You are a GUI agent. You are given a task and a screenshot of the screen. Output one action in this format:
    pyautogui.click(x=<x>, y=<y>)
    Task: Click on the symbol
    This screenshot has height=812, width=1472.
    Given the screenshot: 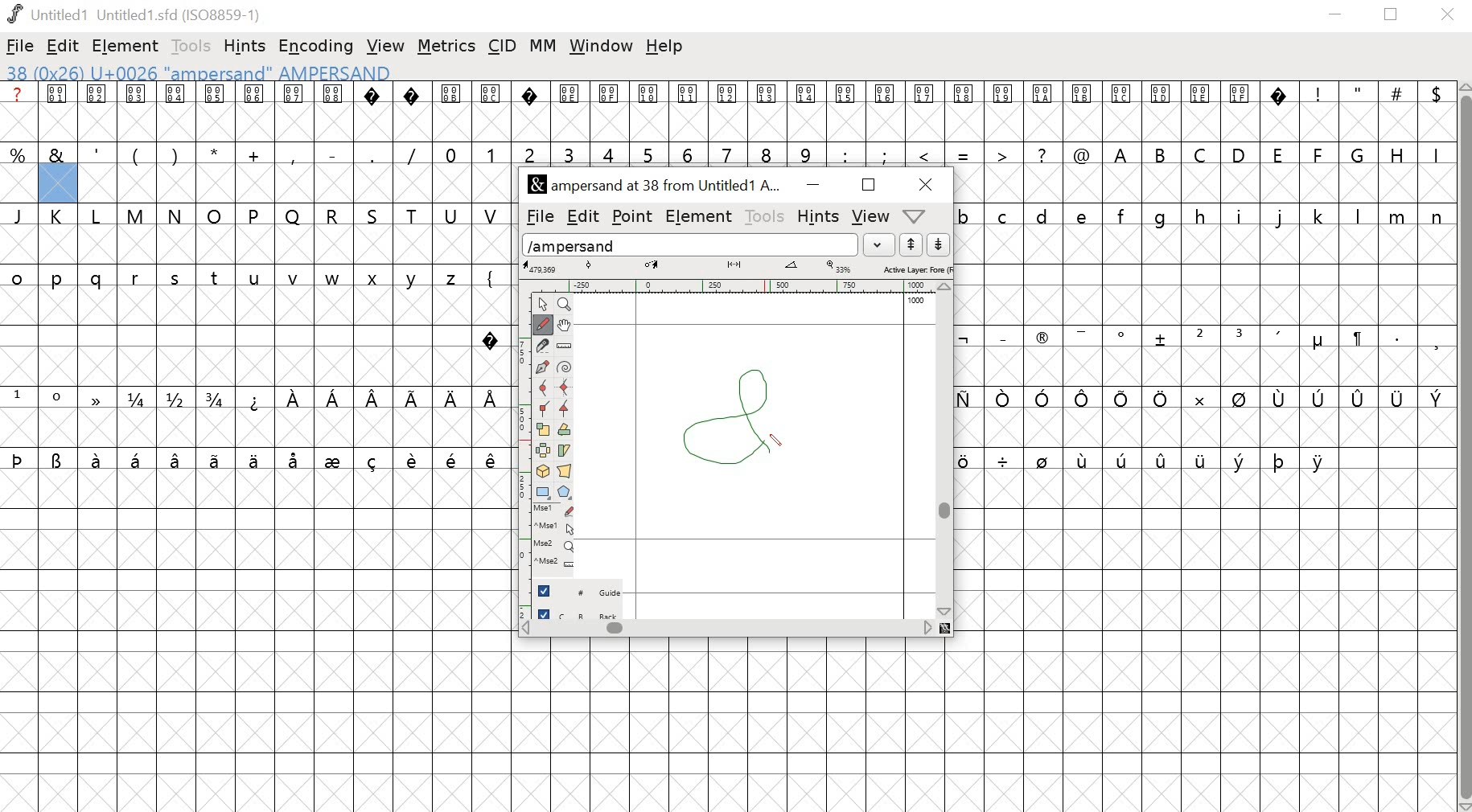 What is the action you would take?
    pyautogui.click(x=1321, y=398)
    